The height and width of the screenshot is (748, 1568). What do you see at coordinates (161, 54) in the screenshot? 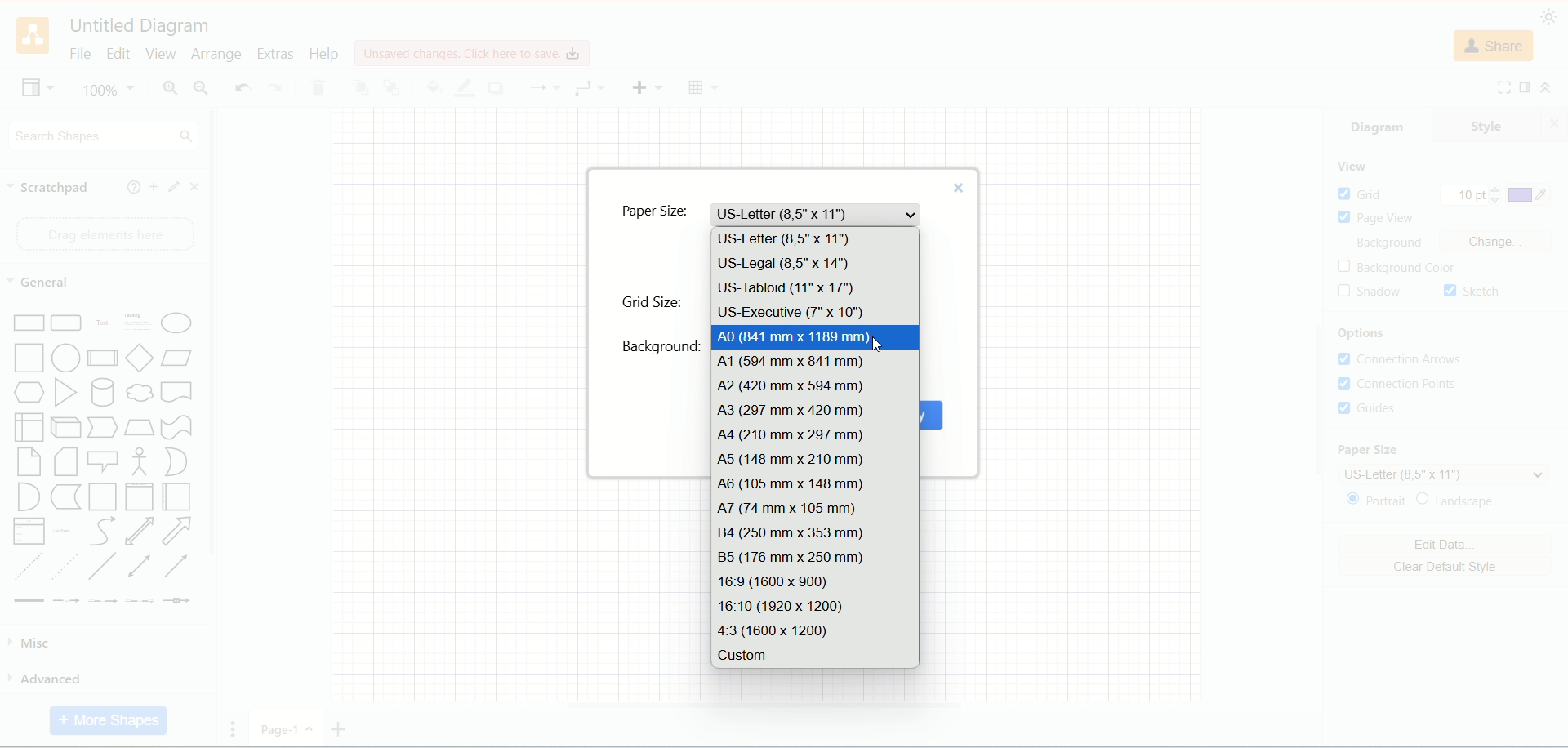
I see `view` at bounding box center [161, 54].